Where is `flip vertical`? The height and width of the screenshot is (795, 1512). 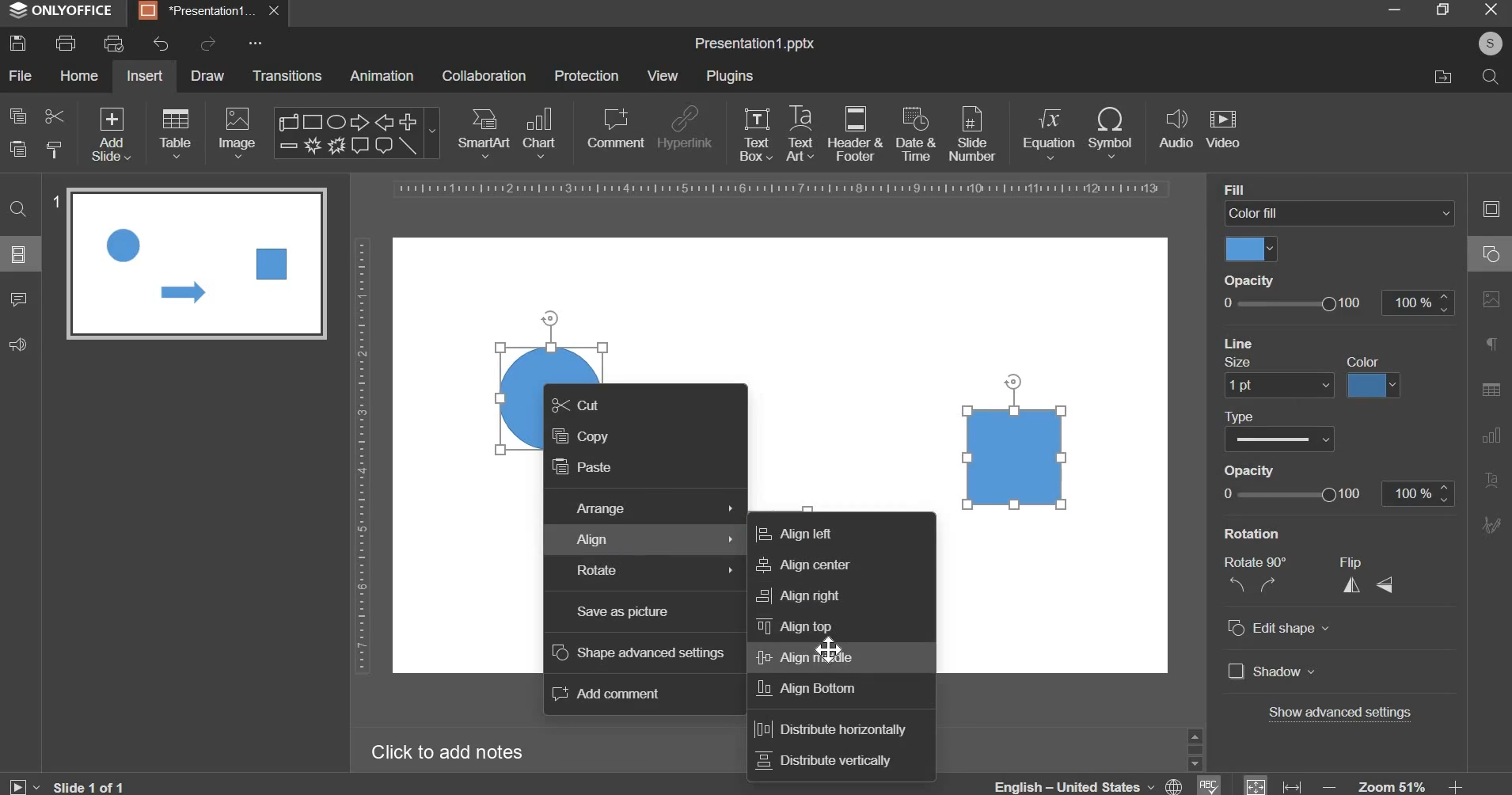
flip vertical is located at coordinates (1387, 584).